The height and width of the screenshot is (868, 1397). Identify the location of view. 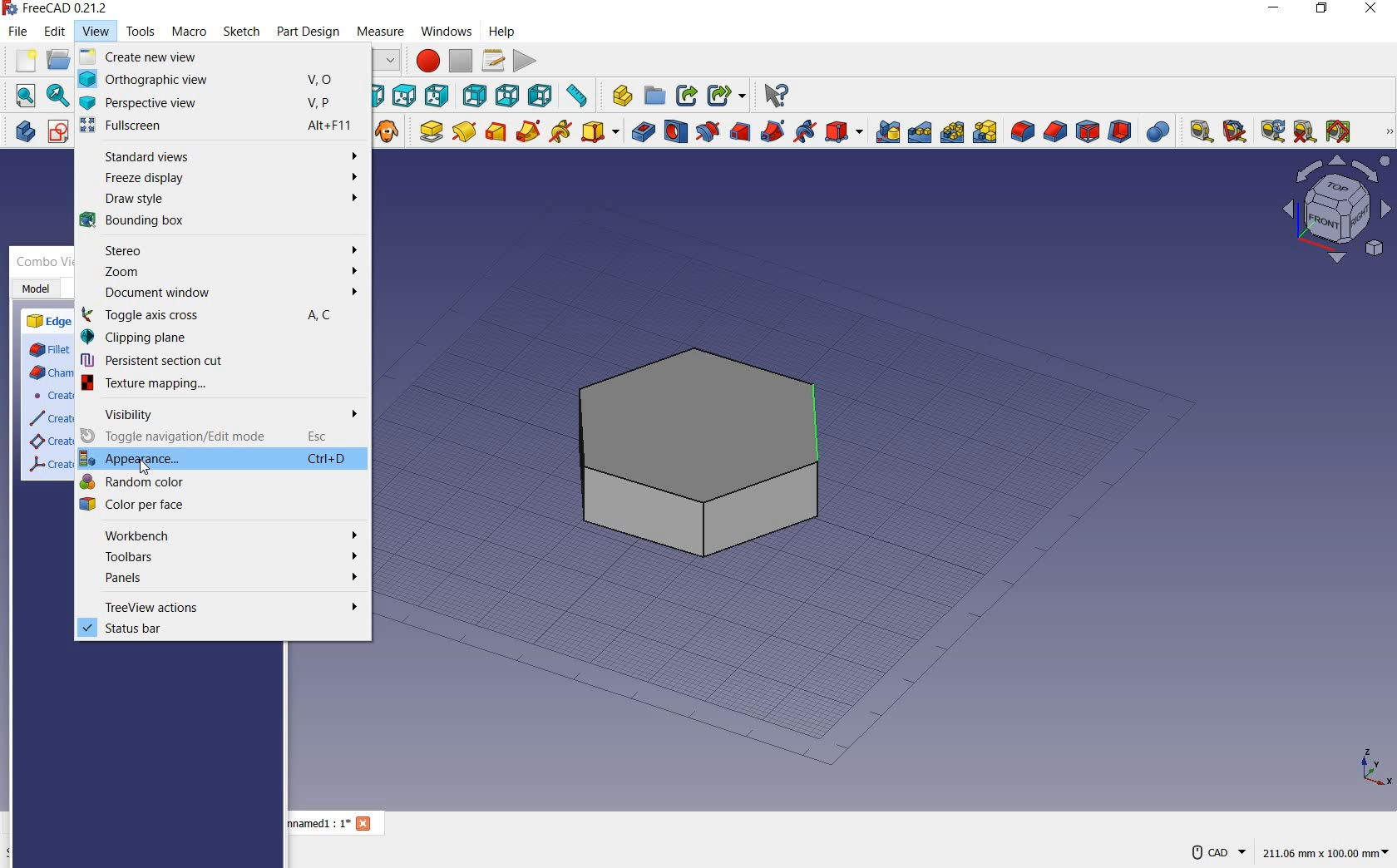
(97, 33).